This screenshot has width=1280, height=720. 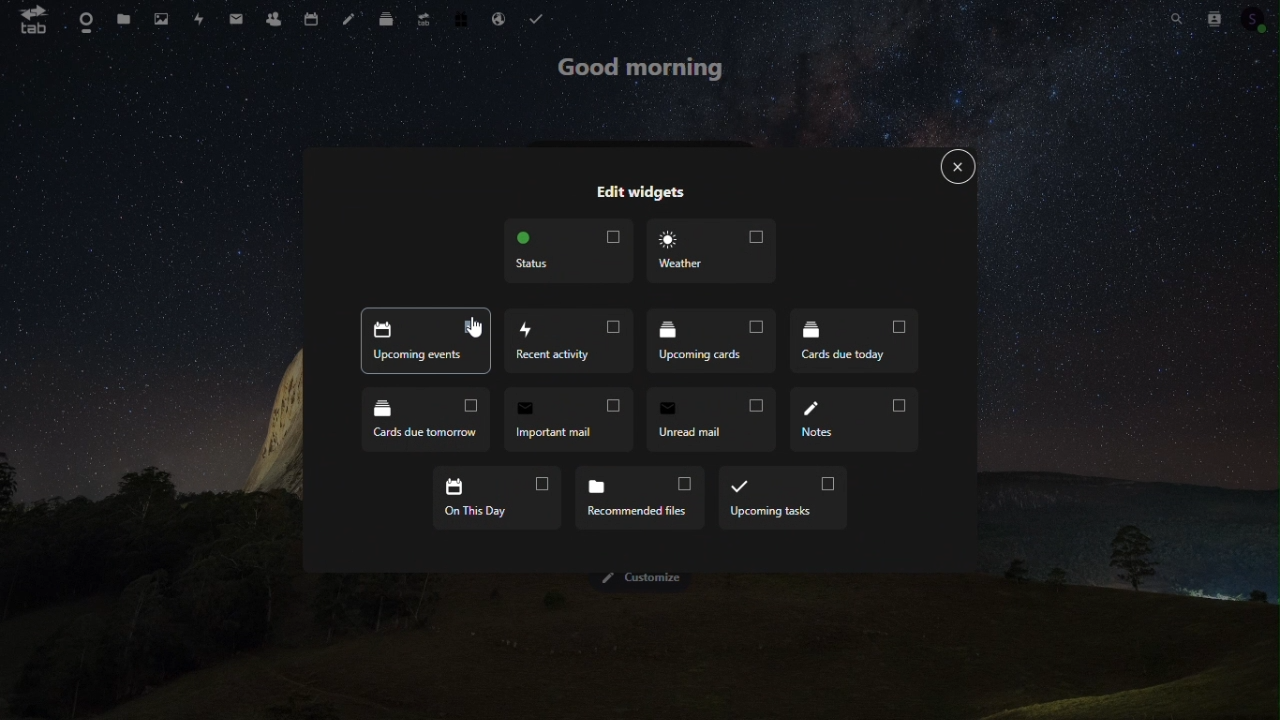 What do you see at coordinates (854, 339) in the screenshot?
I see `Cards due today` at bounding box center [854, 339].